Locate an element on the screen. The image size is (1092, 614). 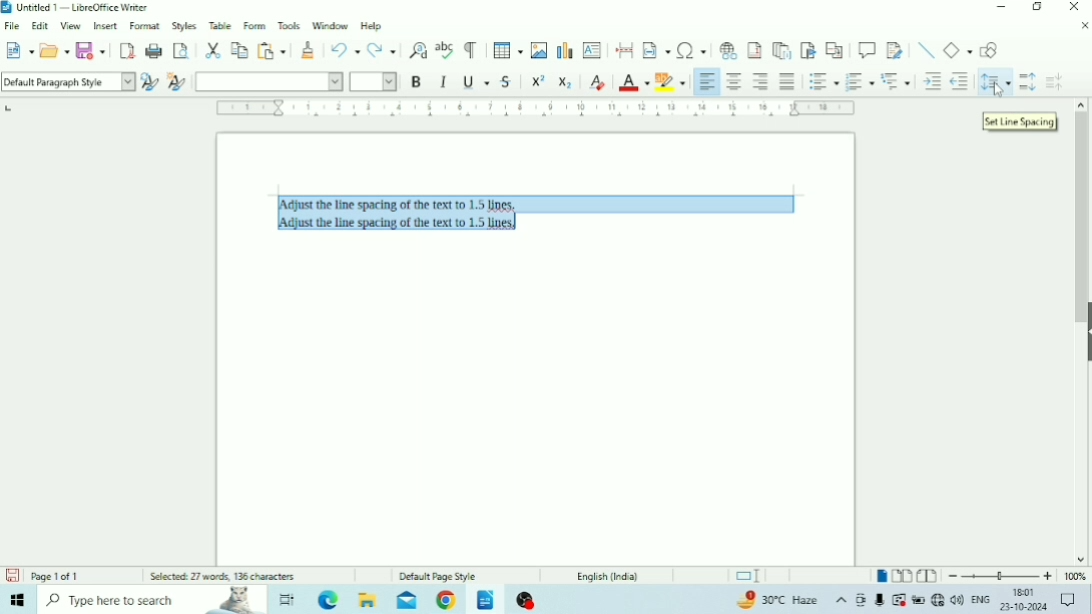
Save is located at coordinates (92, 51).